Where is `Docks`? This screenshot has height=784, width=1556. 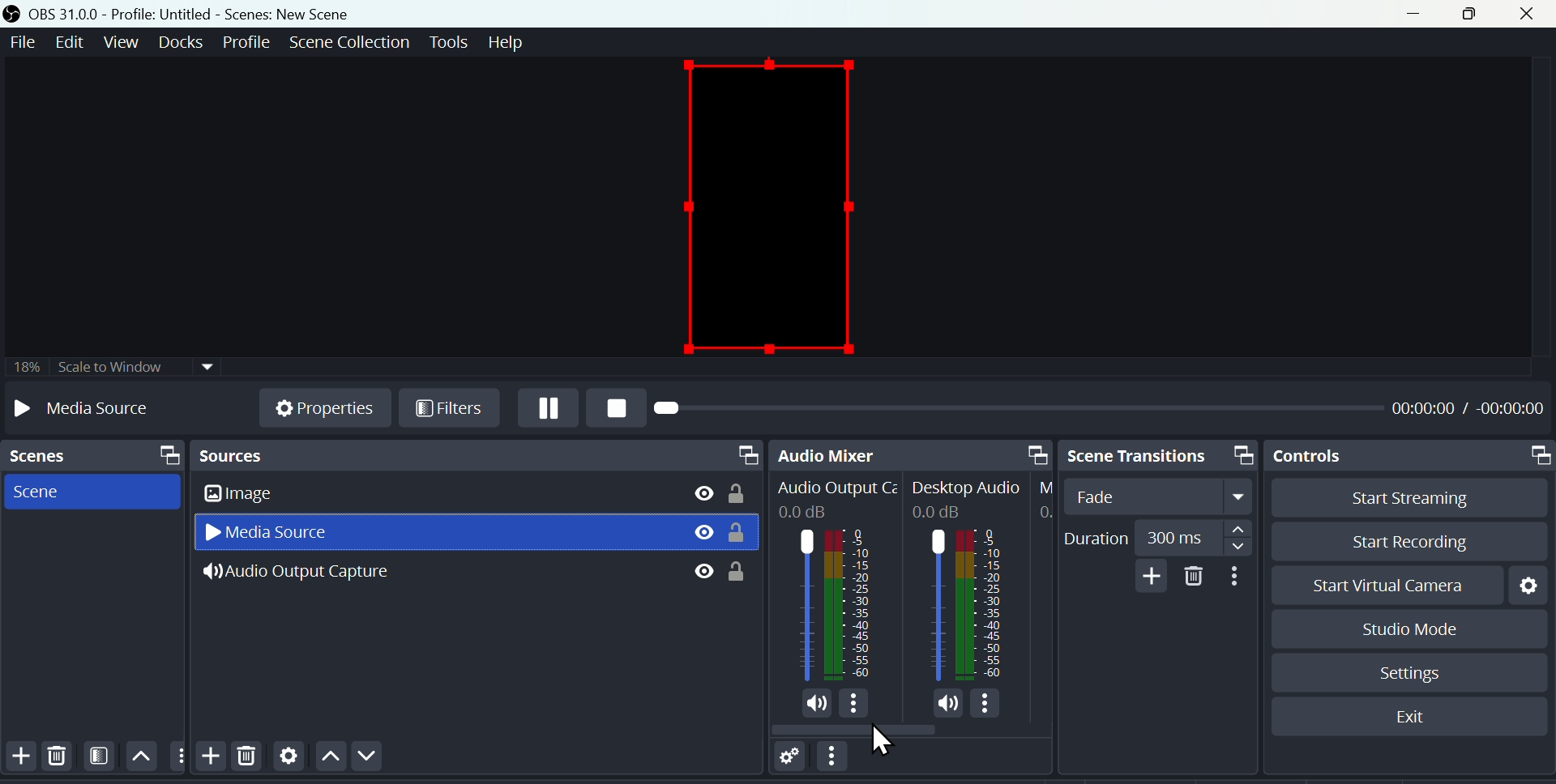
Docks is located at coordinates (179, 42).